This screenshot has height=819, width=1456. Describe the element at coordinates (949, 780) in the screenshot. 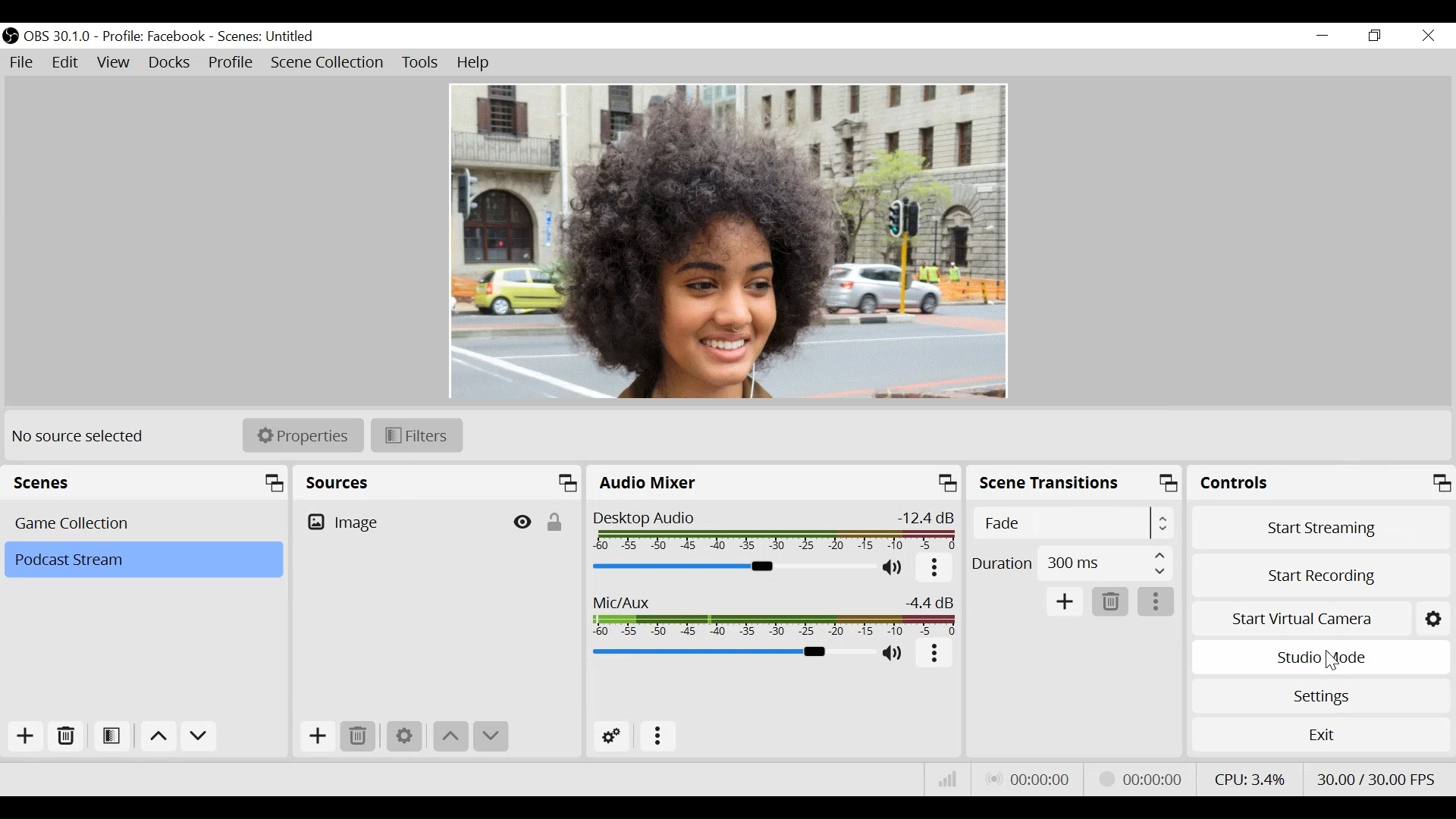

I see `Bitrate` at that location.